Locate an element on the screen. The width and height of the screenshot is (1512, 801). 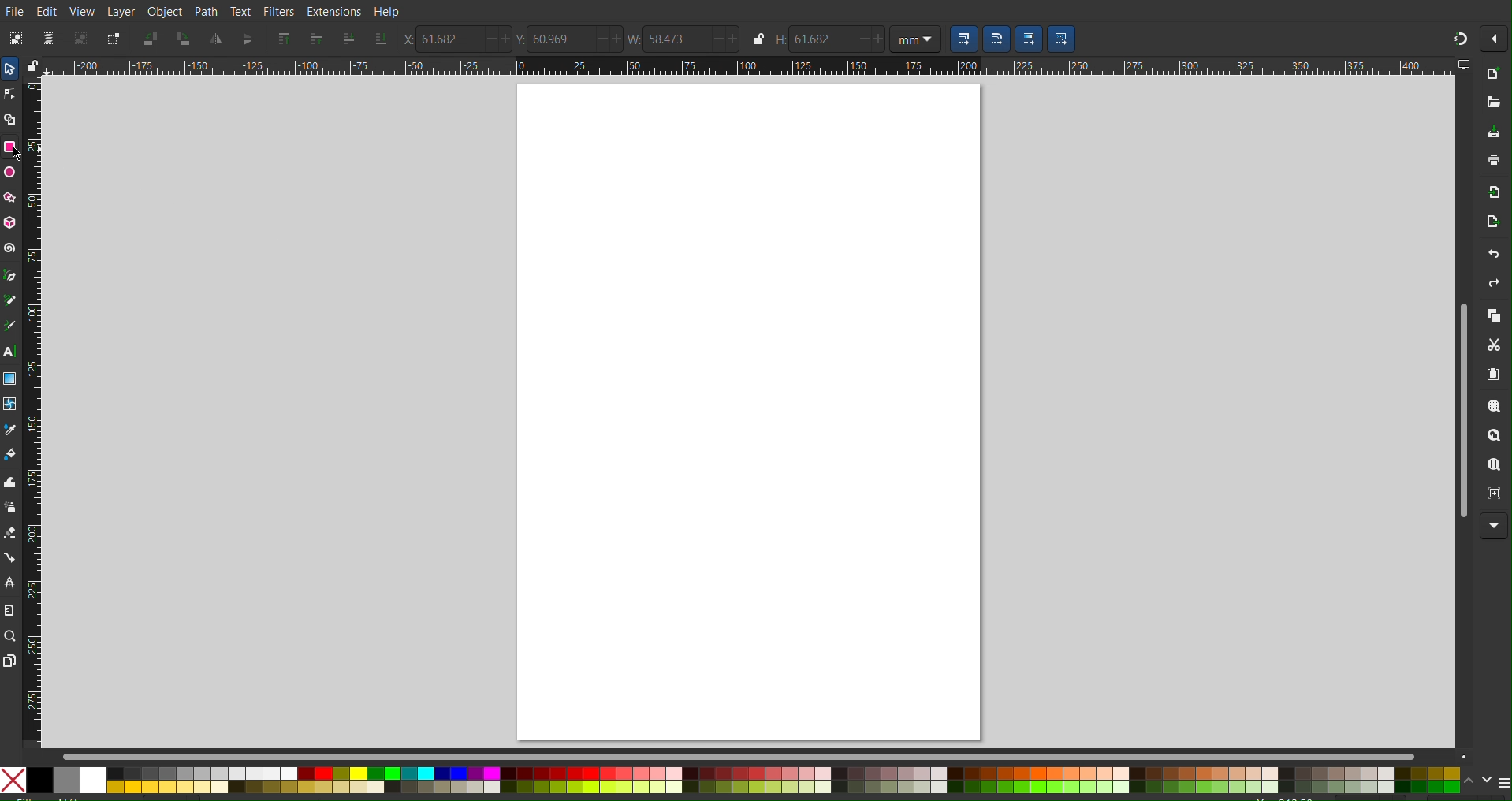
Height is located at coordinates (777, 41).